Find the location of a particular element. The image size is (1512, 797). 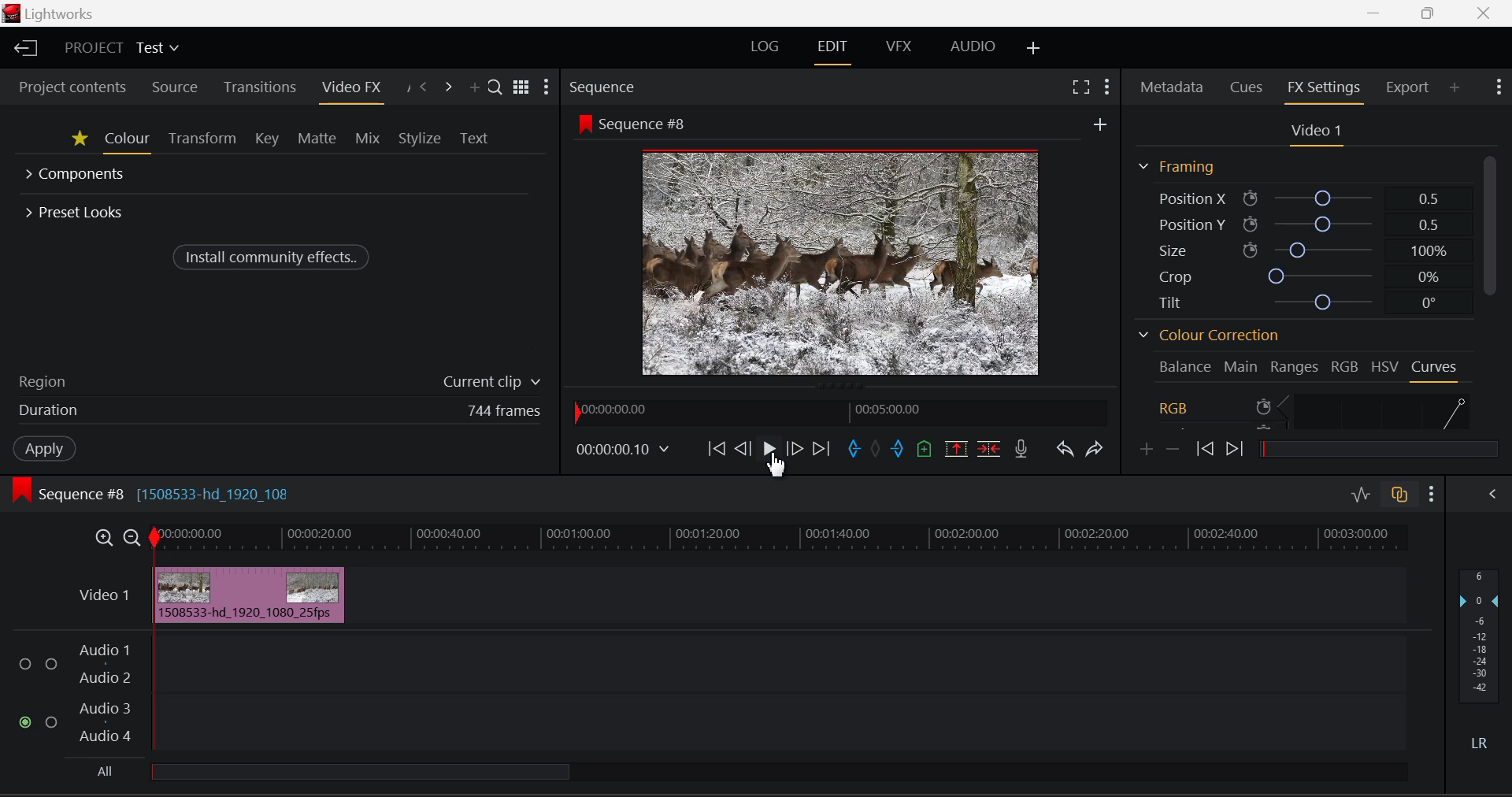

Cues is located at coordinates (1247, 87).